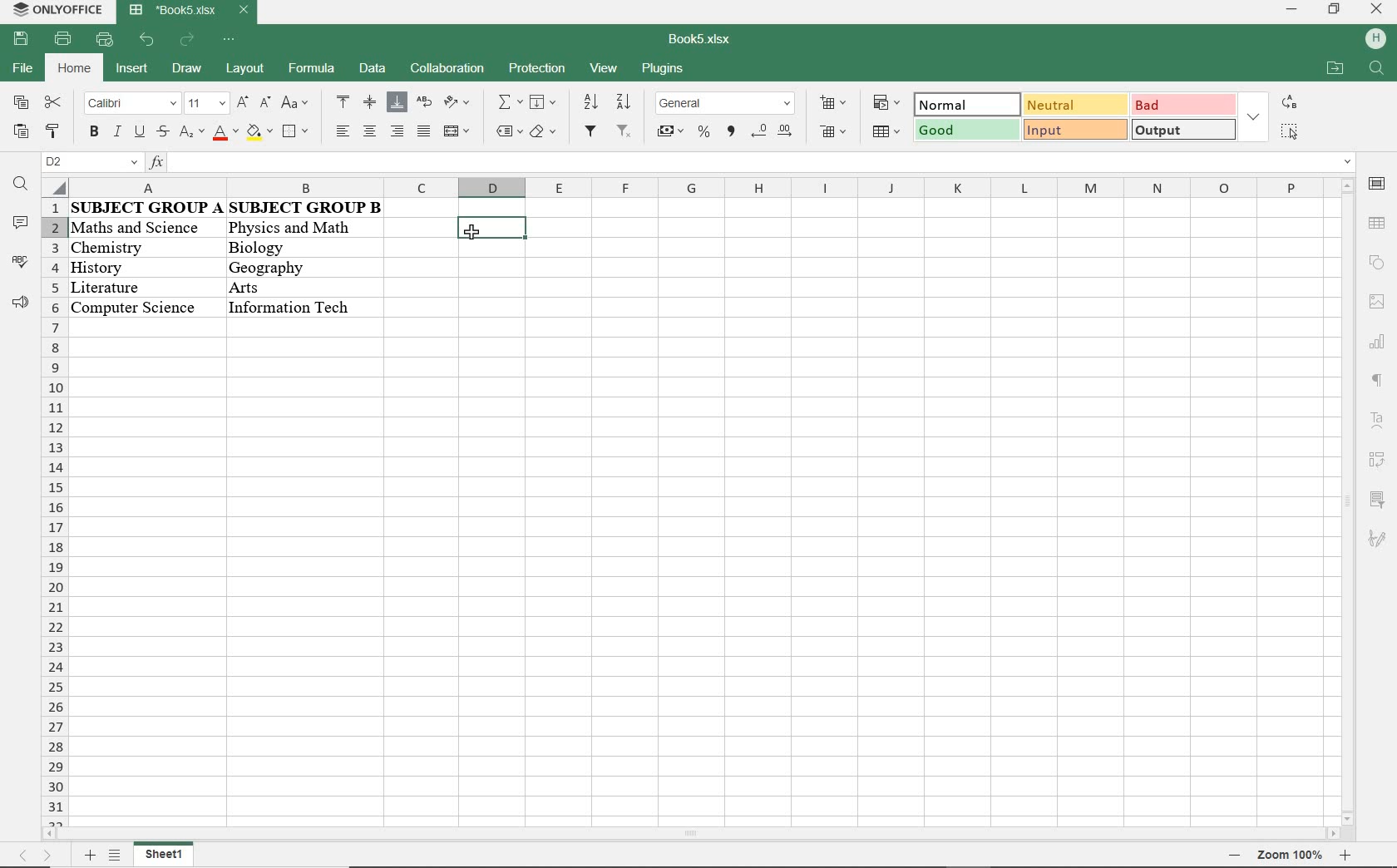 This screenshot has width=1397, height=868. Describe the element at coordinates (148, 41) in the screenshot. I see `undo` at that location.